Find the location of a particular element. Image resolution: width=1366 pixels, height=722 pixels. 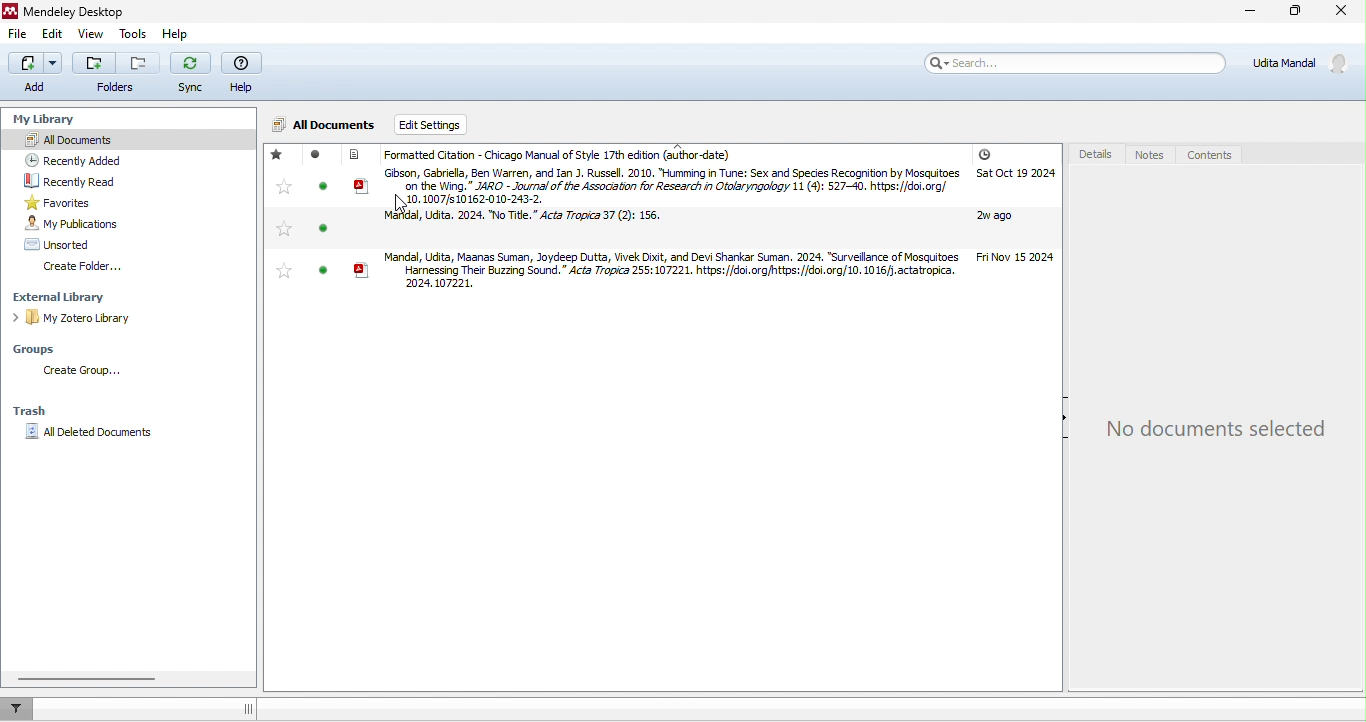

view is located at coordinates (94, 35).